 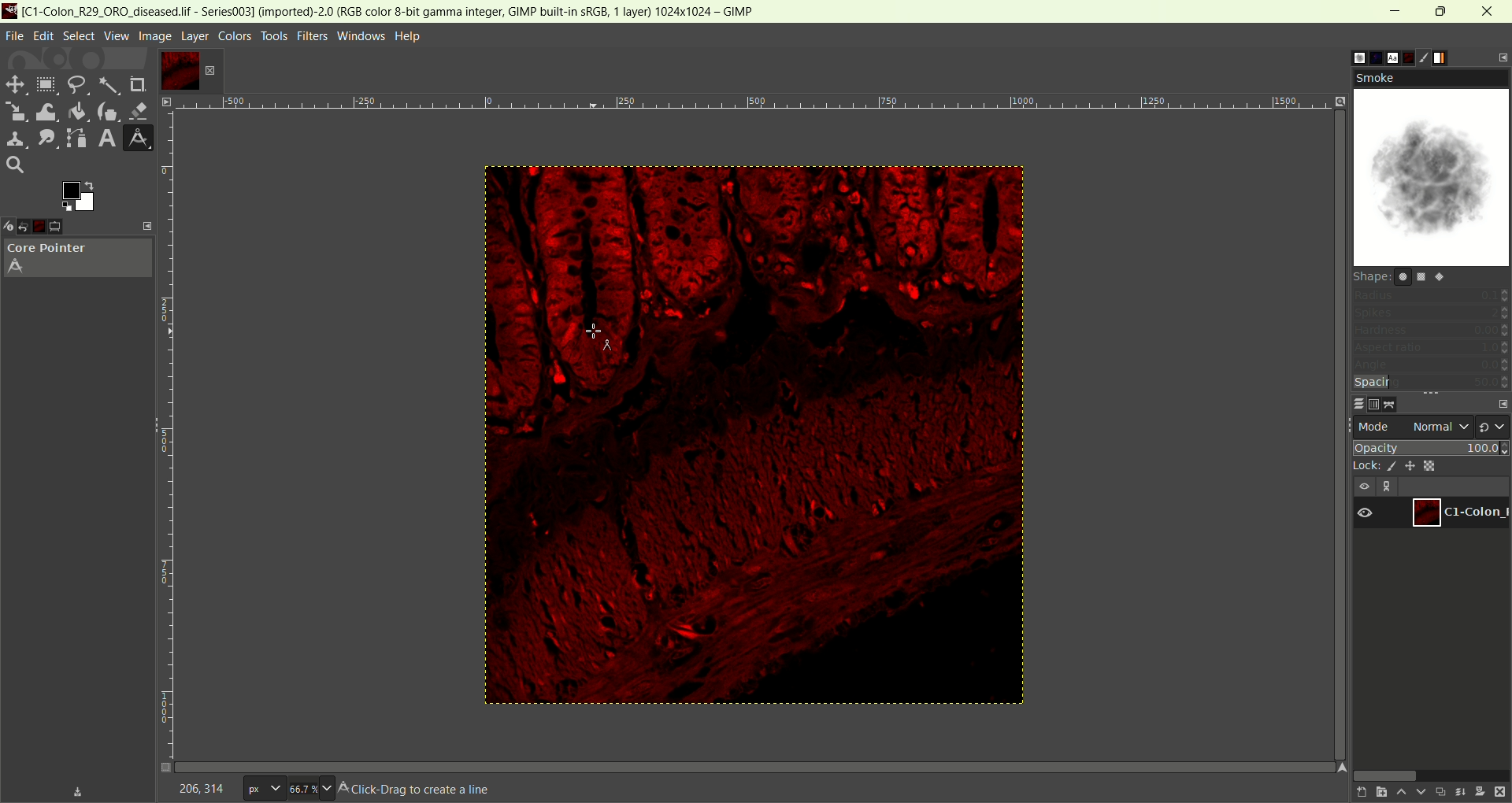 What do you see at coordinates (1440, 791) in the screenshot?
I see `duplicate layer` at bounding box center [1440, 791].